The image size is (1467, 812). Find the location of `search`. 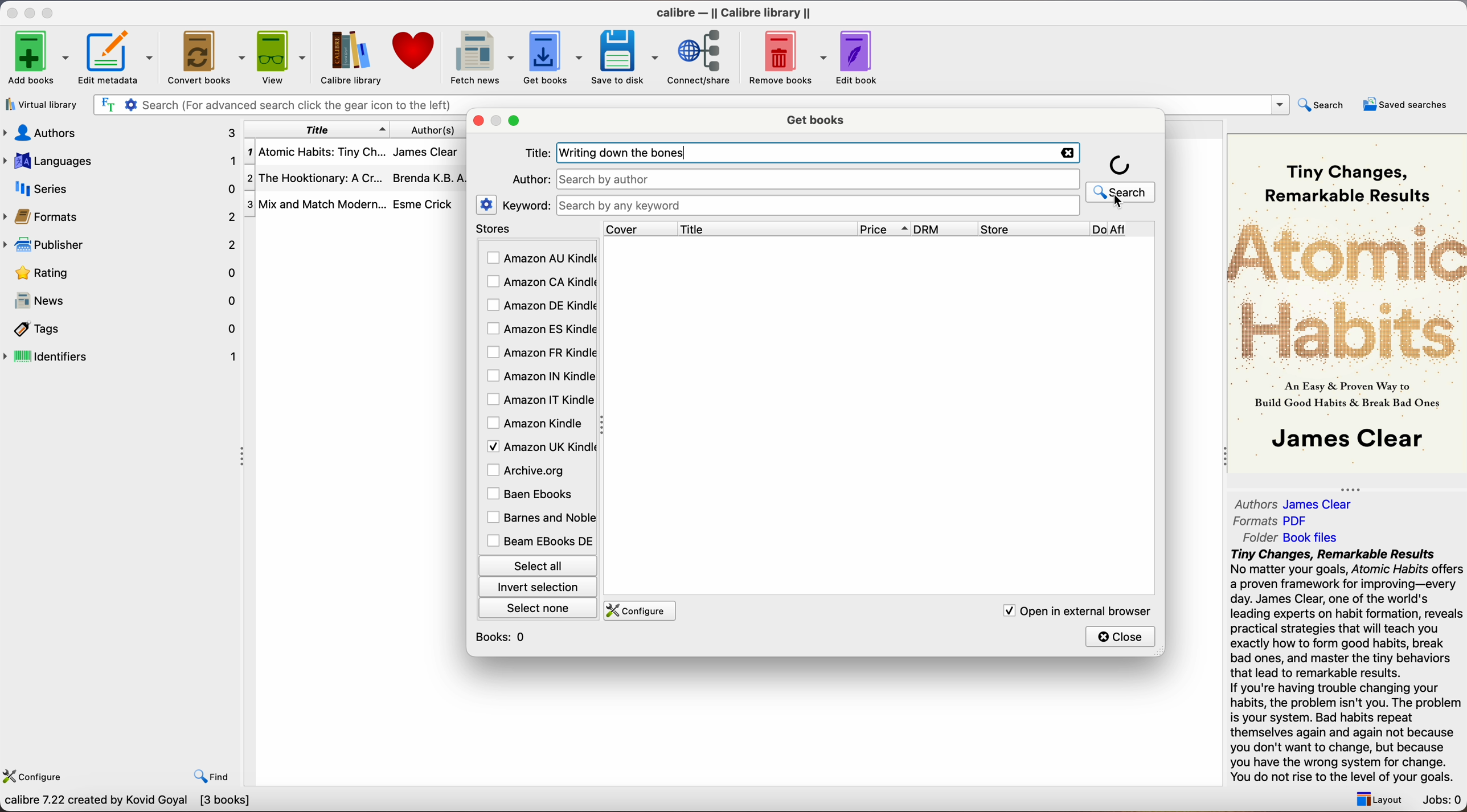

search is located at coordinates (1121, 177).